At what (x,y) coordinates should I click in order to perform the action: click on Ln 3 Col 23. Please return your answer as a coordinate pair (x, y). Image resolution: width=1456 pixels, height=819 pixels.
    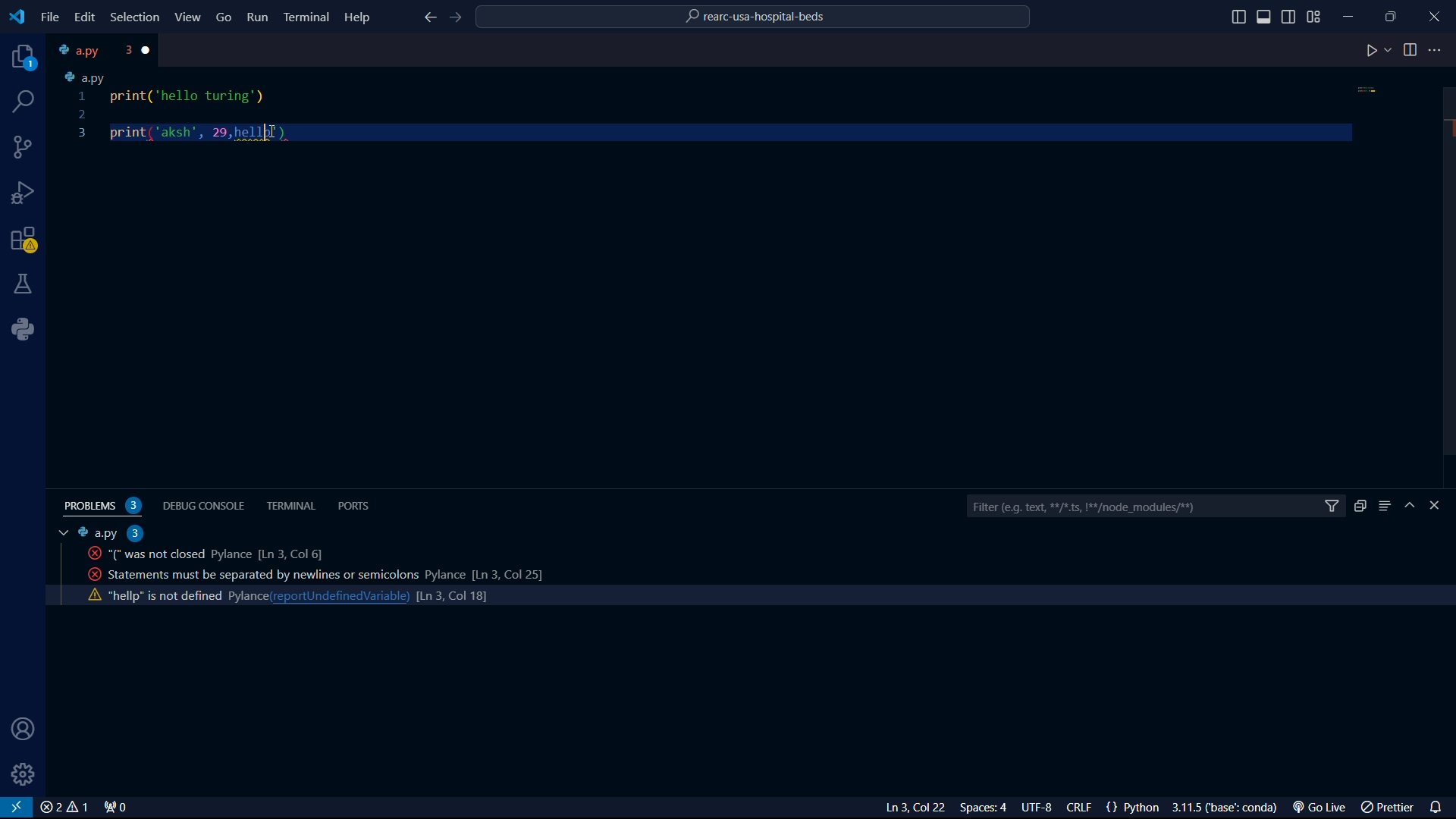
    Looking at the image, I should click on (897, 808).